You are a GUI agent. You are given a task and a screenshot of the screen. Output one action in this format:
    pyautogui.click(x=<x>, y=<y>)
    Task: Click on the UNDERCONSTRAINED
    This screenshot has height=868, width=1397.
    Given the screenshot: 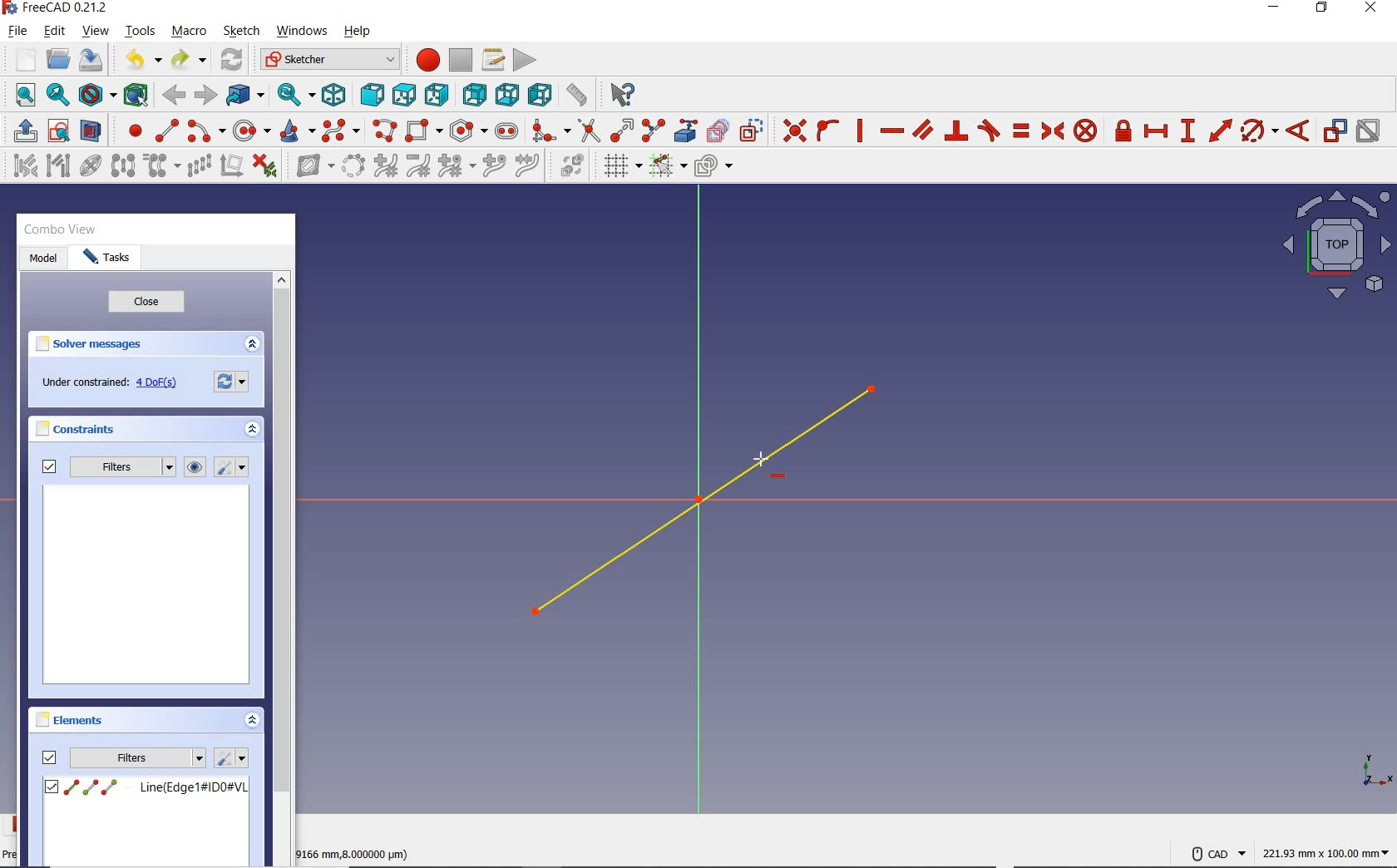 What is the action you would take?
    pyautogui.click(x=107, y=384)
    